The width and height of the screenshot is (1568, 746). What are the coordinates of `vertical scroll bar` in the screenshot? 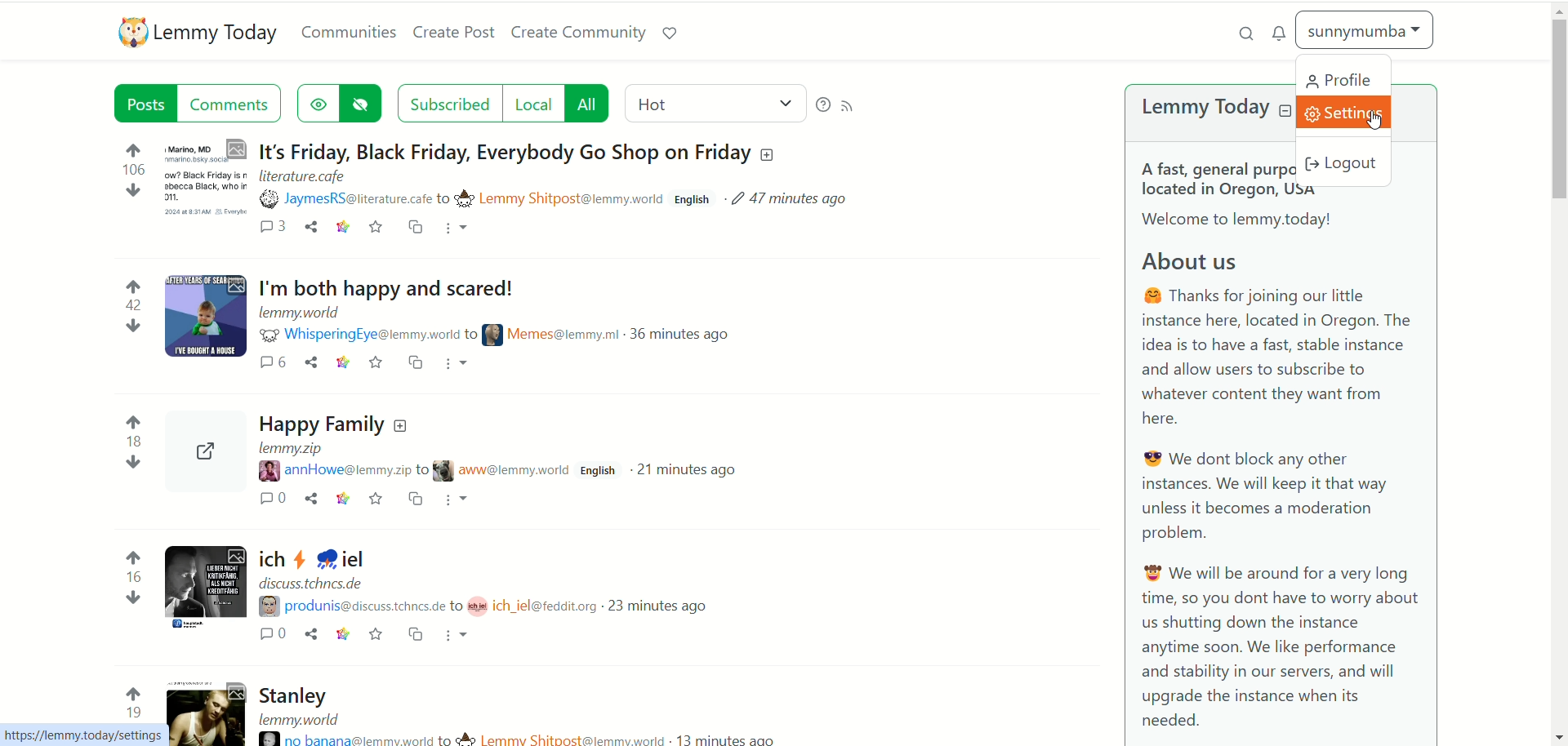 It's located at (1558, 373).